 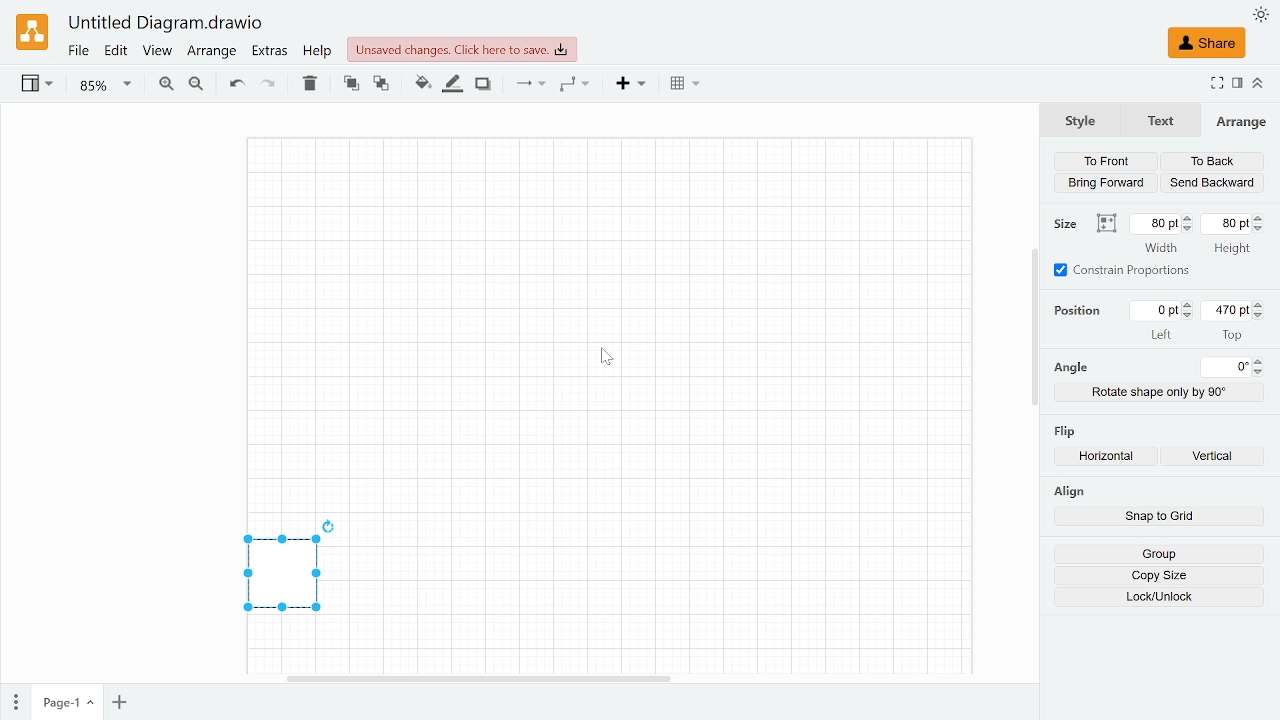 What do you see at coordinates (454, 84) in the screenshot?
I see `Fill line` at bounding box center [454, 84].